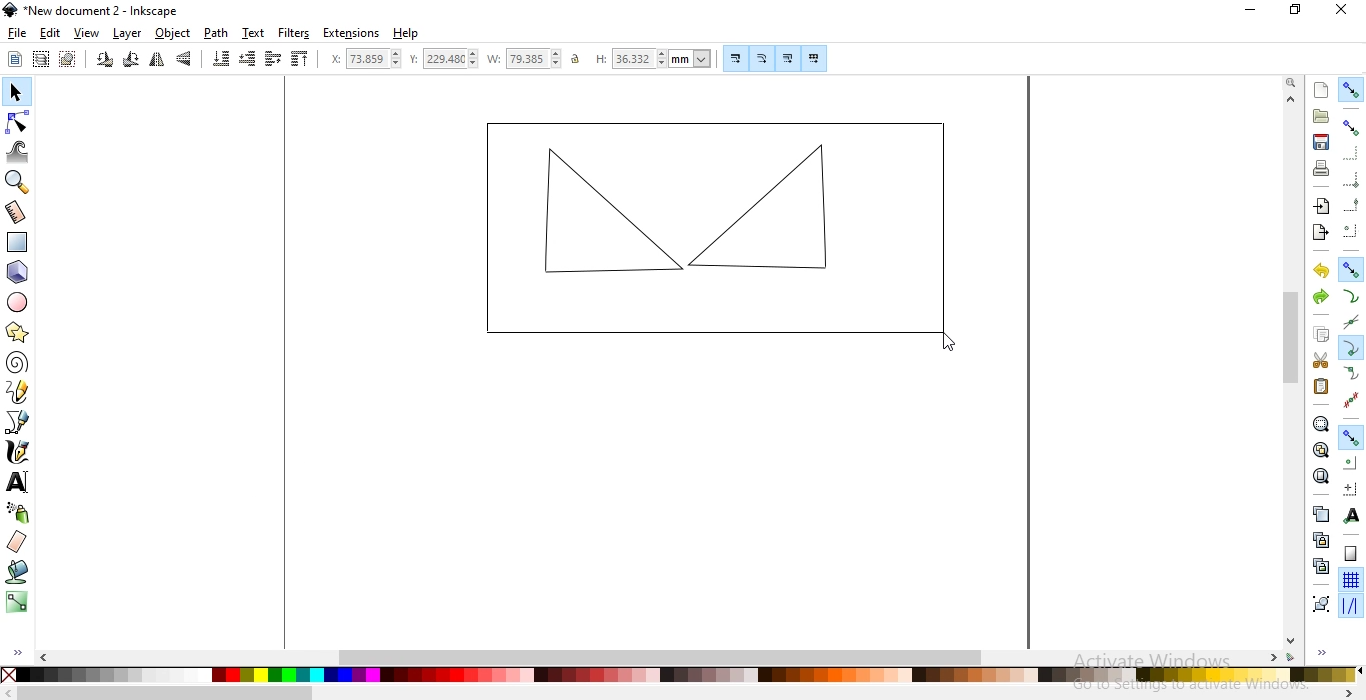 The width and height of the screenshot is (1366, 700). What do you see at coordinates (1350, 319) in the screenshot?
I see `snap to path intersections` at bounding box center [1350, 319].